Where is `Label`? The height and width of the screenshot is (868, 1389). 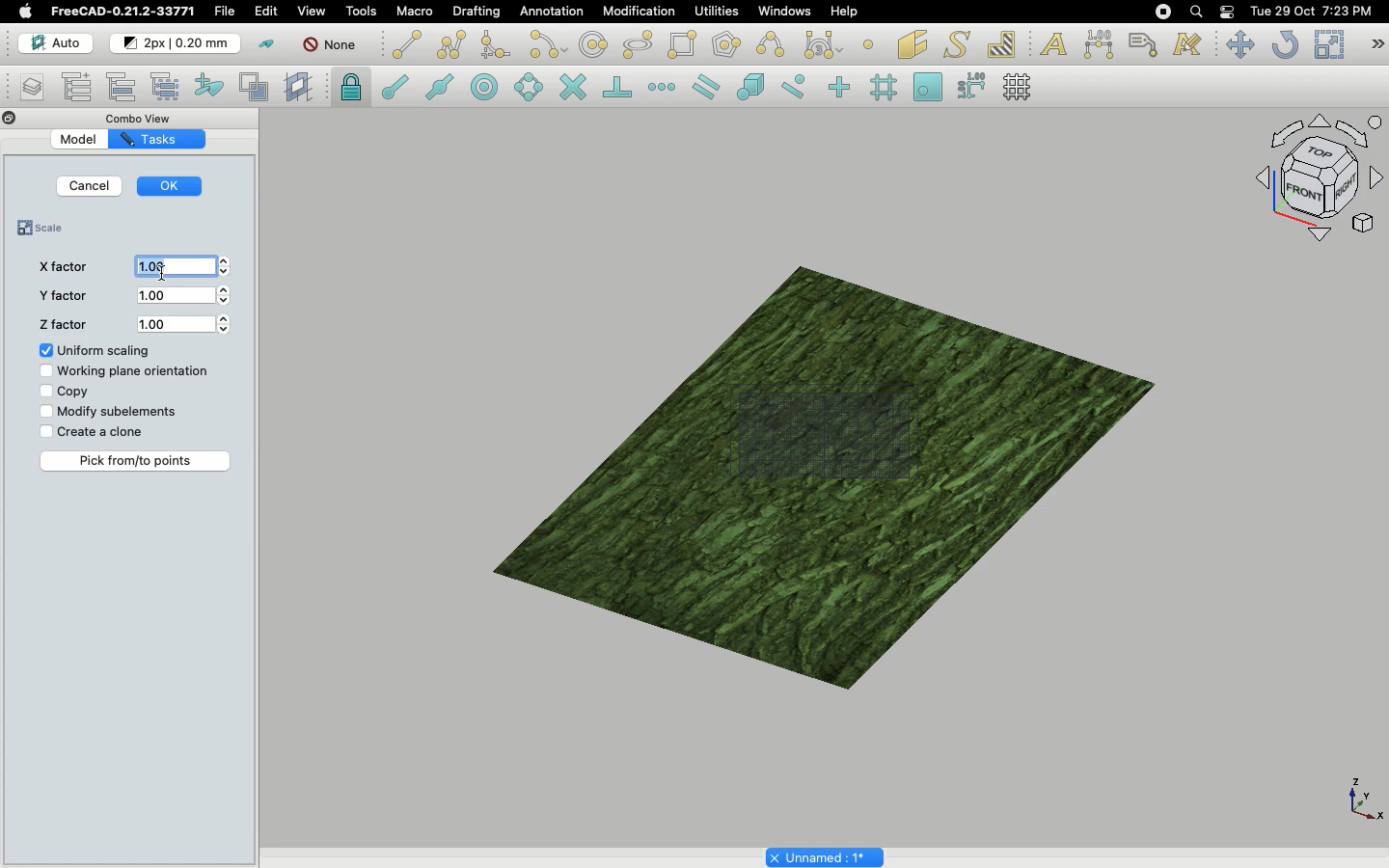
Label is located at coordinates (1144, 42).